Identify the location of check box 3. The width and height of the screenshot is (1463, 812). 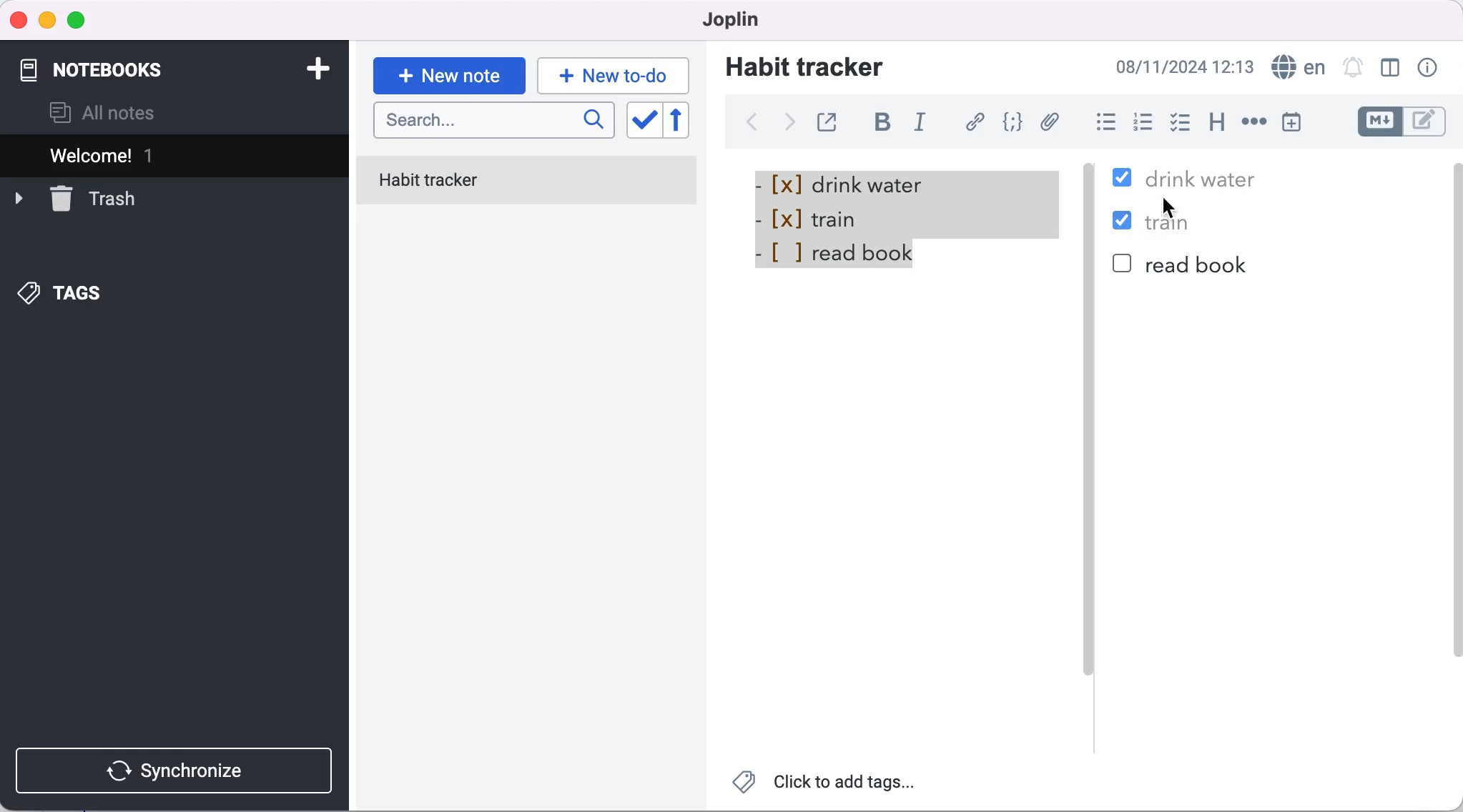
(1123, 264).